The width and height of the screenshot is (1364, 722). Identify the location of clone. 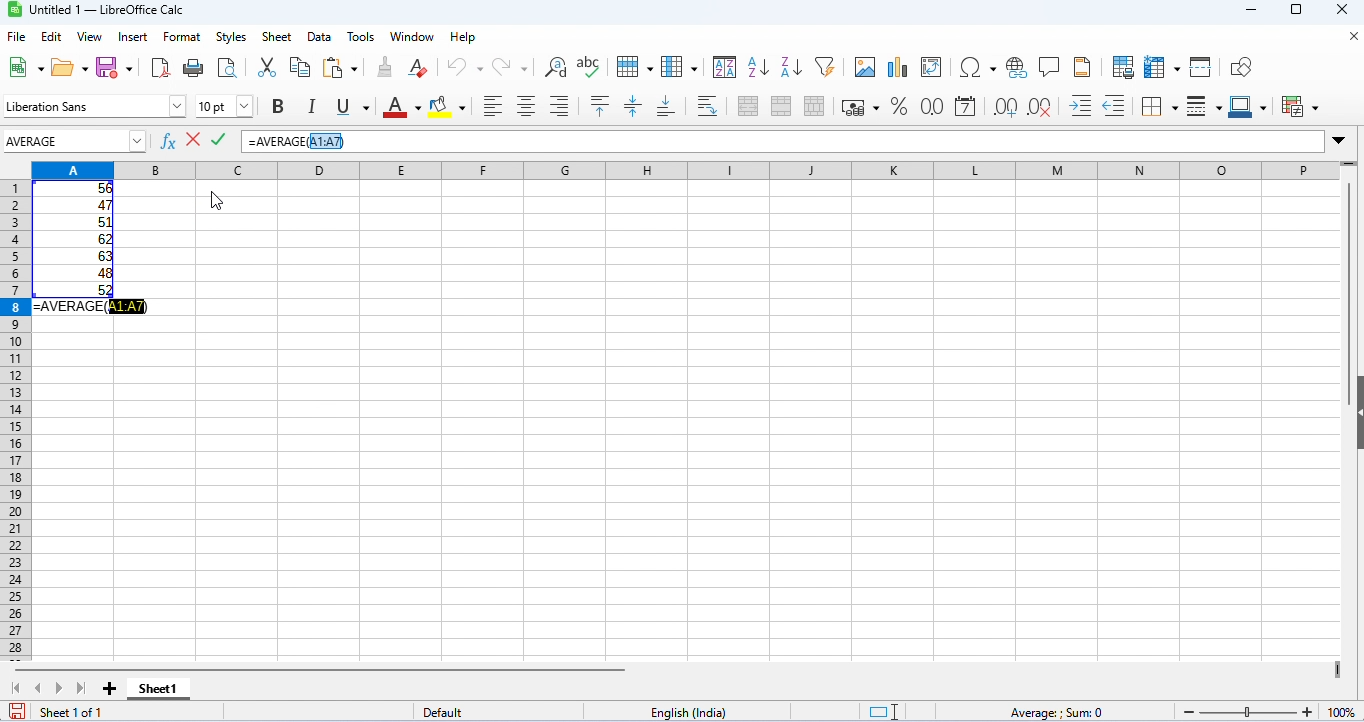
(384, 66).